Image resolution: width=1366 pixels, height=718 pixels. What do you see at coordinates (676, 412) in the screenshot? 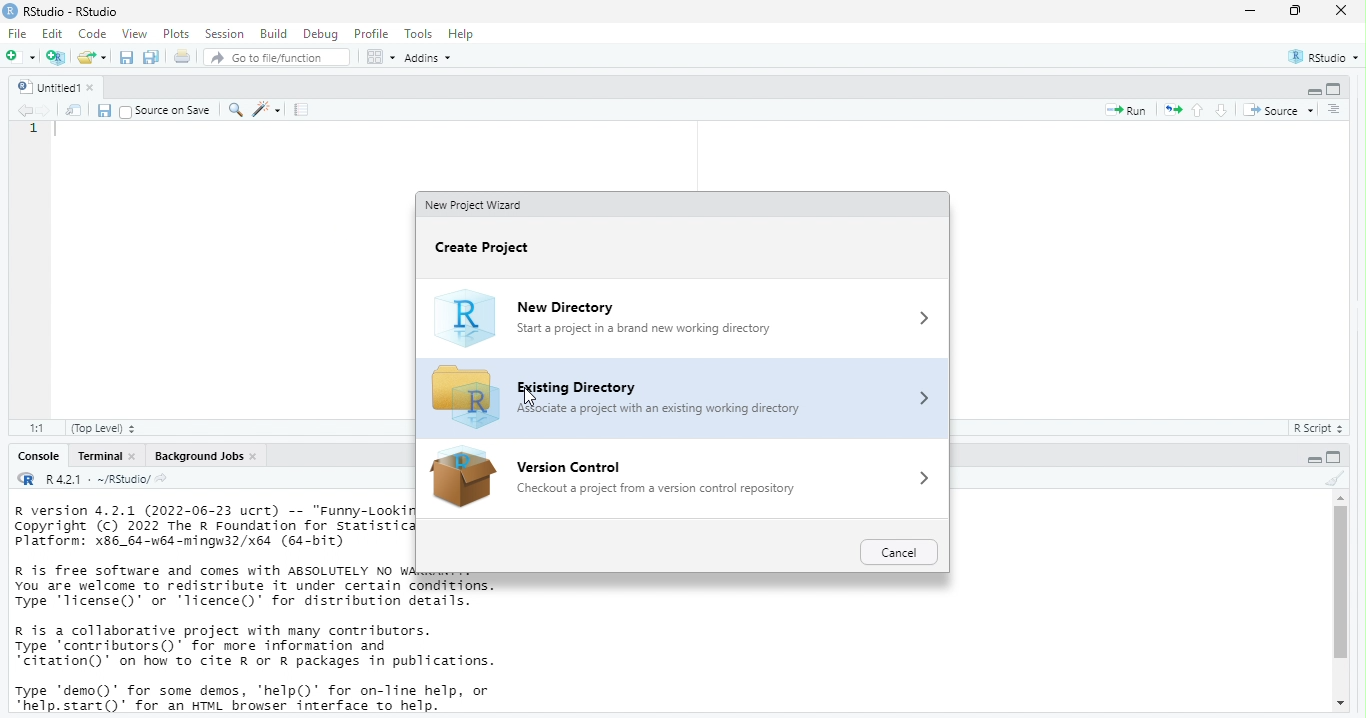
I see `Associate a project with an existing working directory` at bounding box center [676, 412].